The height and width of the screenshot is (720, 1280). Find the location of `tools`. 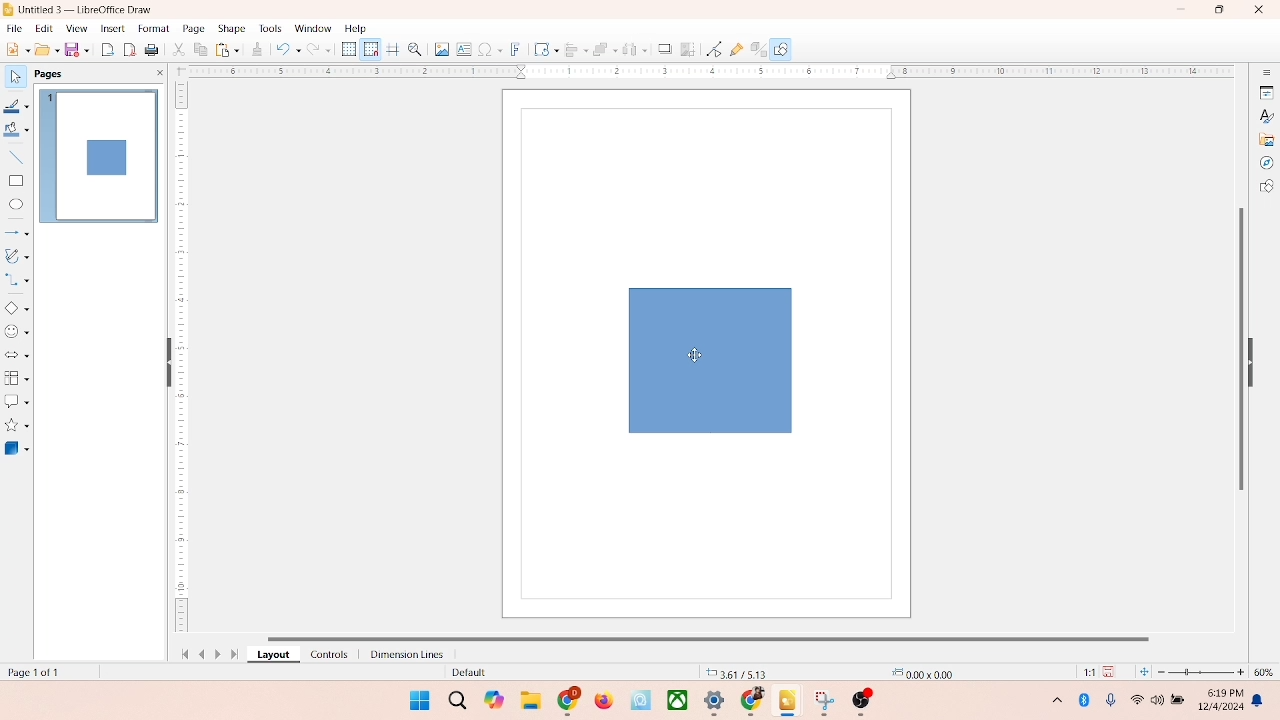

tools is located at coordinates (269, 28).